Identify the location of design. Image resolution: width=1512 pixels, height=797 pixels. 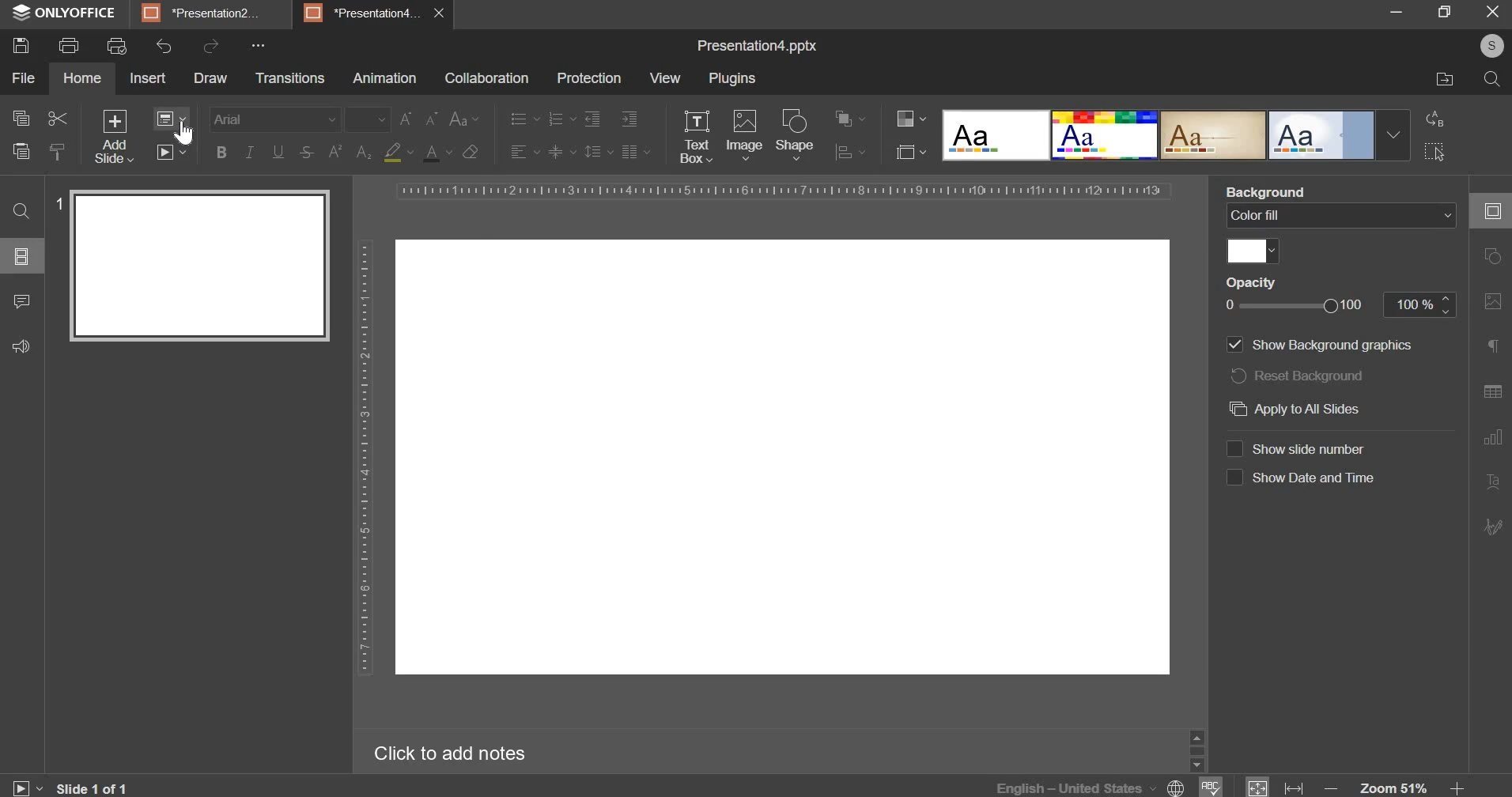
(997, 136).